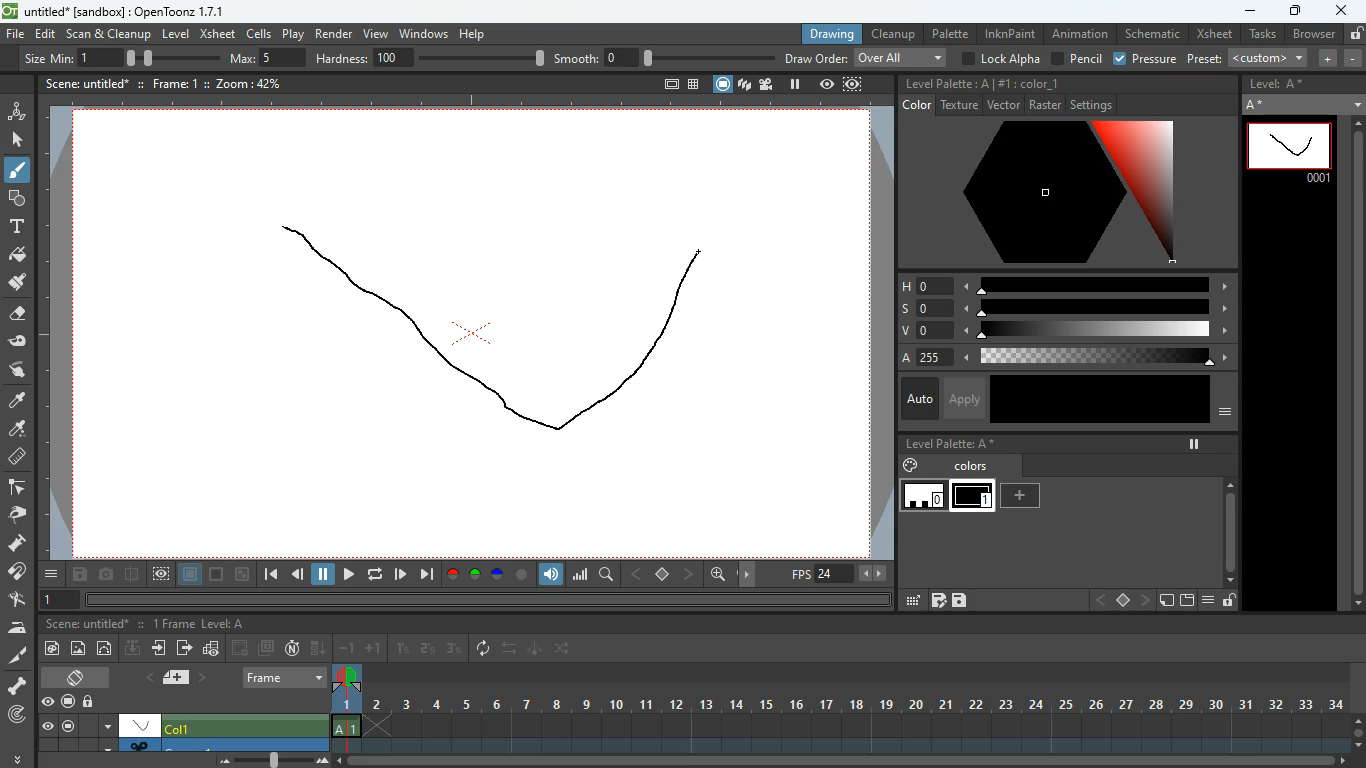 The height and width of the screenshot is (768, 1366). What do you see at coordinates (461, 104) in the screenshot?
I see `horizontal scale` at bounding box center [461, 104].